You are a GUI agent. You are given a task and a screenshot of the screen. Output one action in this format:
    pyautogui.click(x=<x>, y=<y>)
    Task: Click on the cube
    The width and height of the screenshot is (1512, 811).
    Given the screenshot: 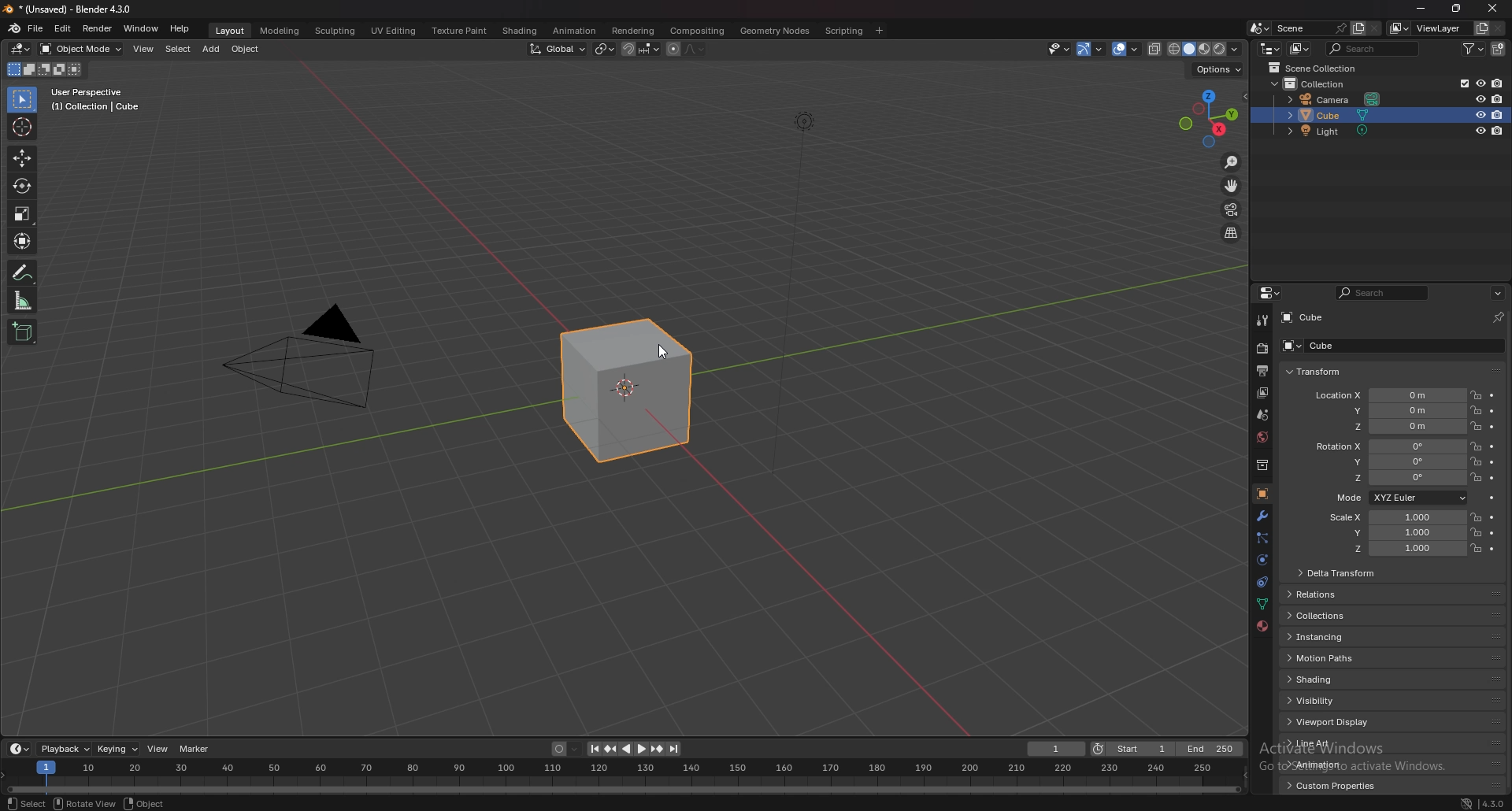 What is the action you would take?
    pyautogui.click(x=1303, y=317)
    